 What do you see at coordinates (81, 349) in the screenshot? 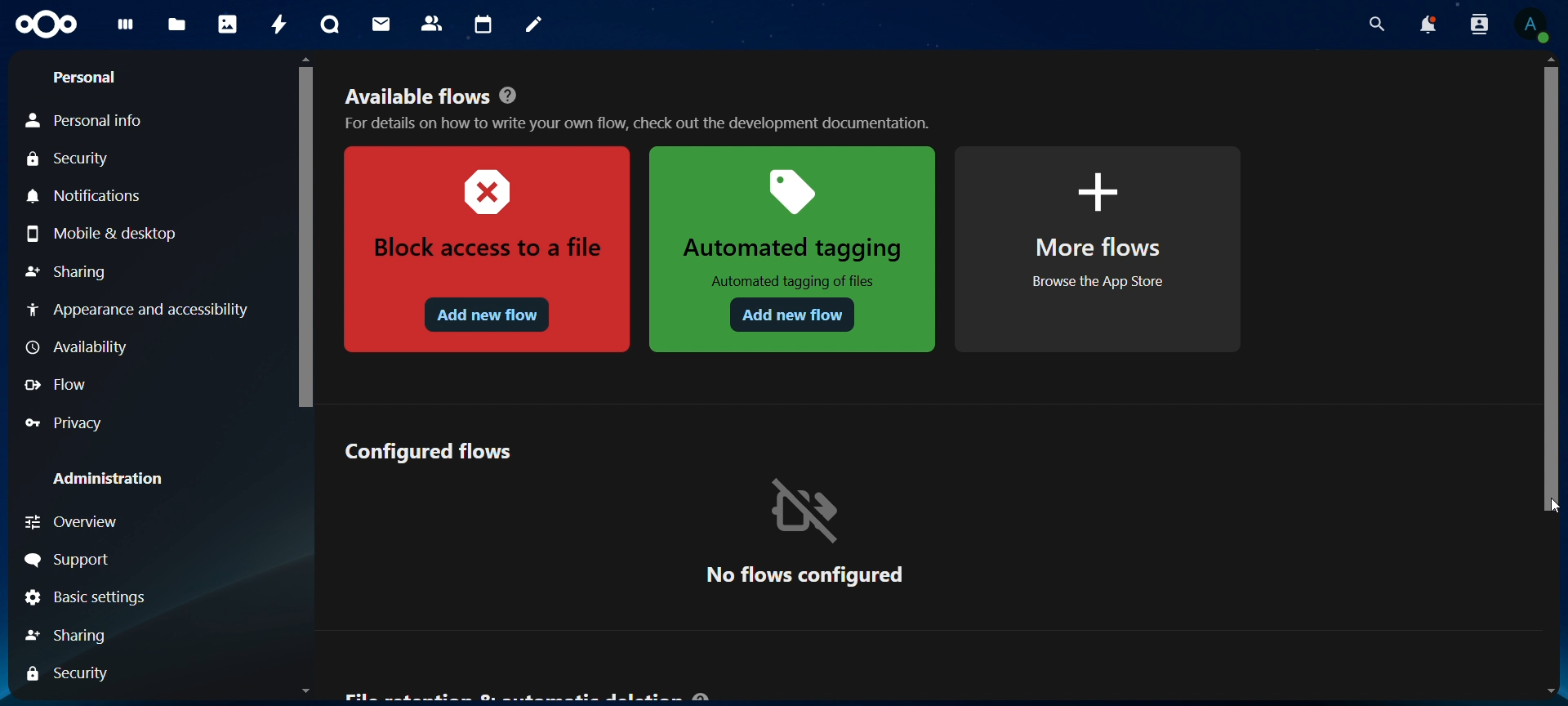
I see `availabilty` at bounding box center [81, 349].